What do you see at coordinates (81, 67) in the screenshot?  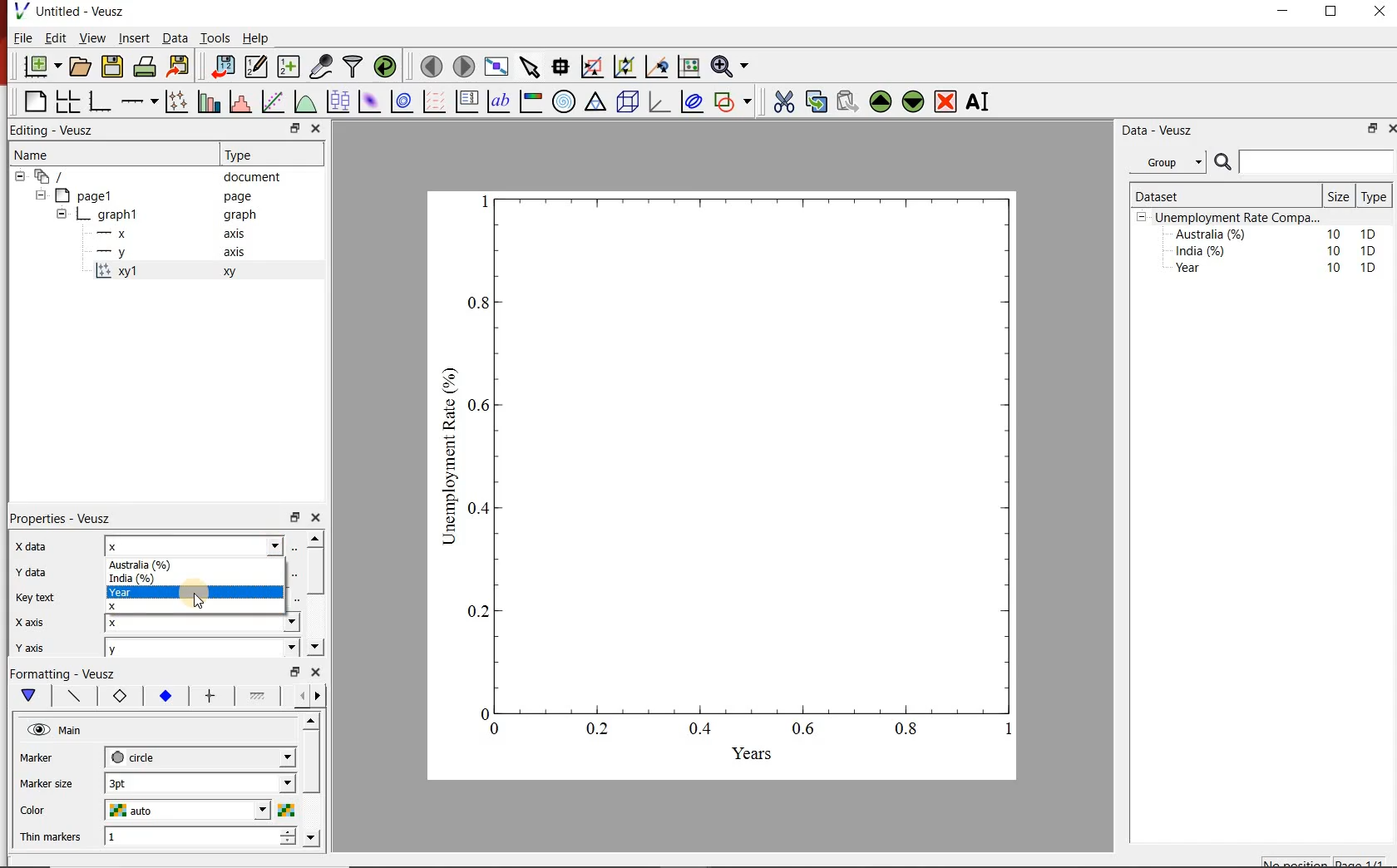 I see `open document` at bounding box center [81, 67].